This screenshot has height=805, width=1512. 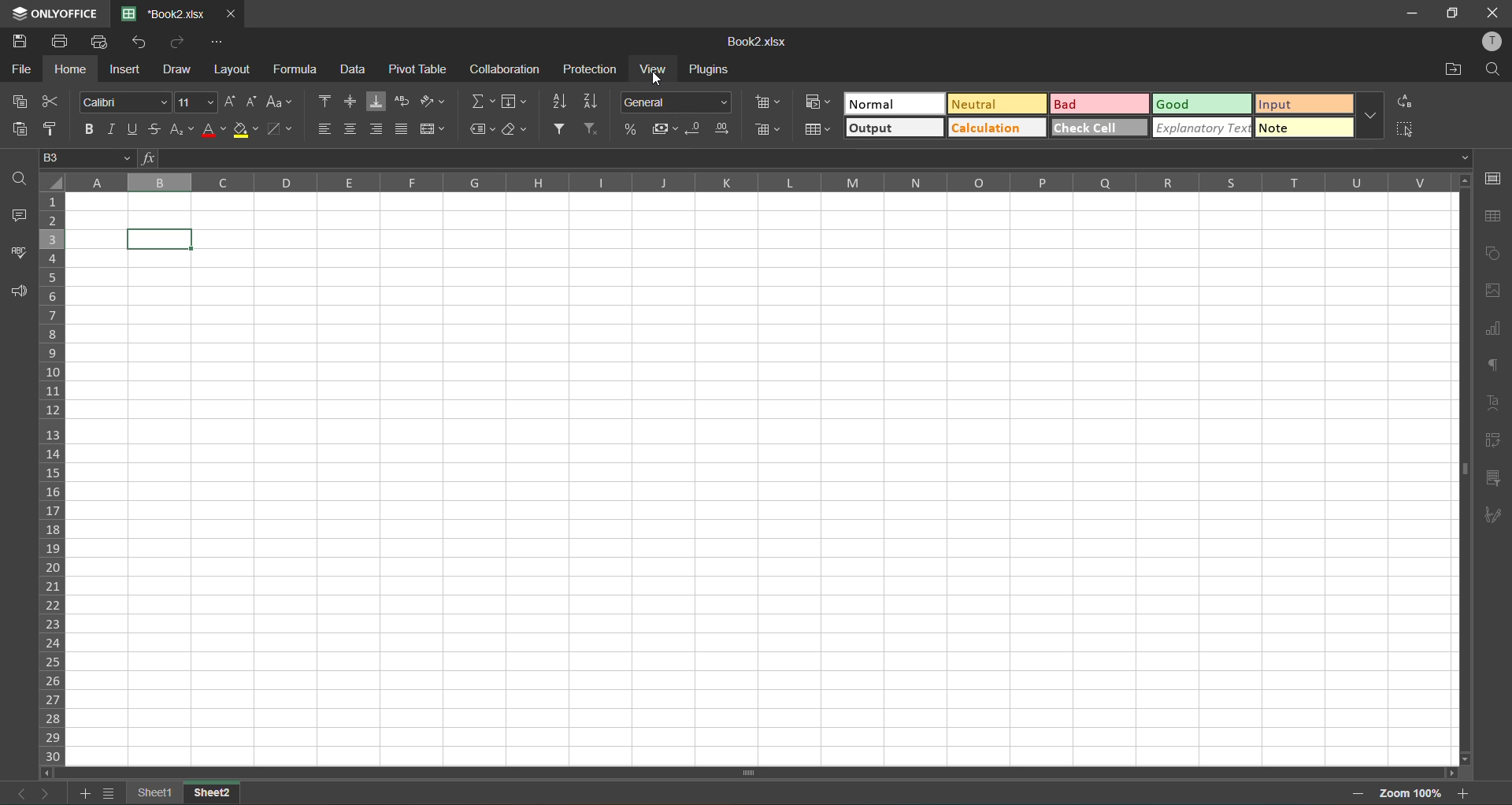 I want to click on data, so click(x=356, y=71).